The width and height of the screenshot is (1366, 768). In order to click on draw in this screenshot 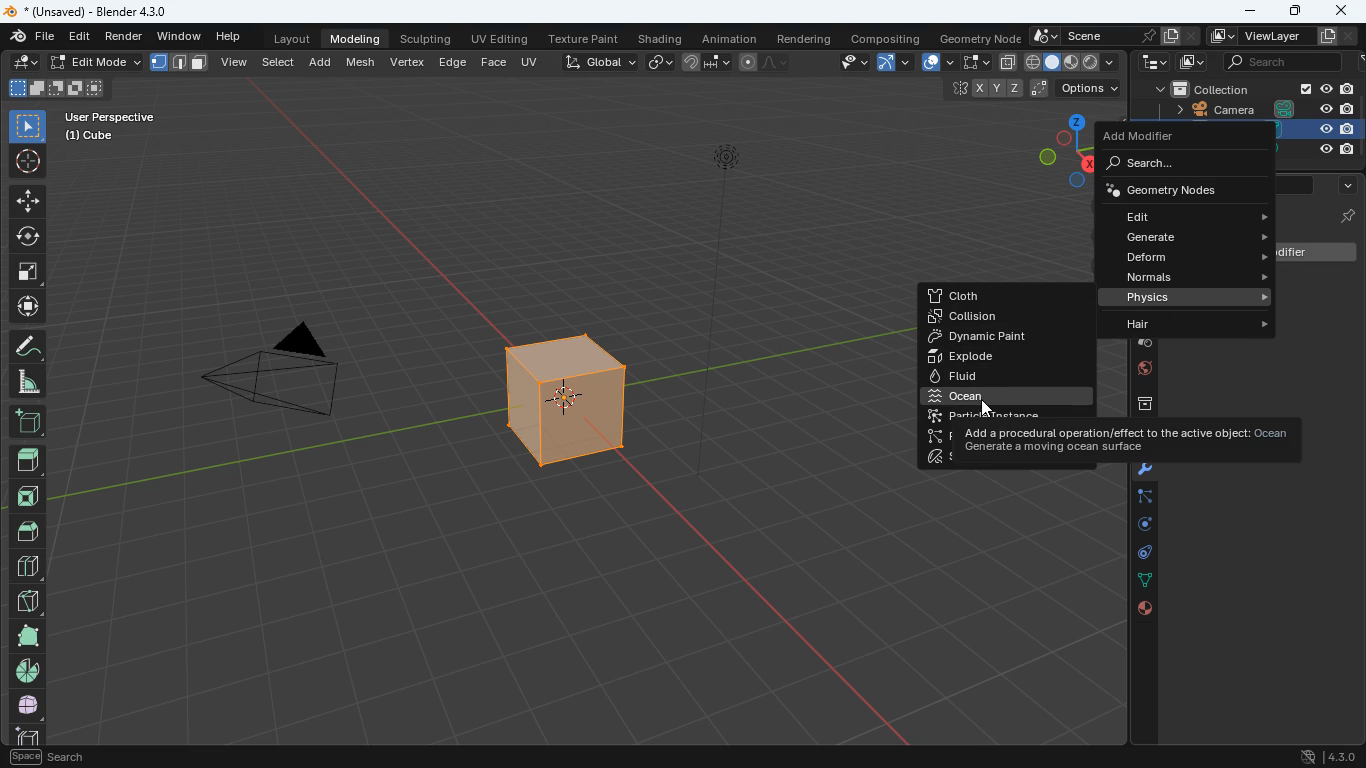, I will do `click(766, 62)`.